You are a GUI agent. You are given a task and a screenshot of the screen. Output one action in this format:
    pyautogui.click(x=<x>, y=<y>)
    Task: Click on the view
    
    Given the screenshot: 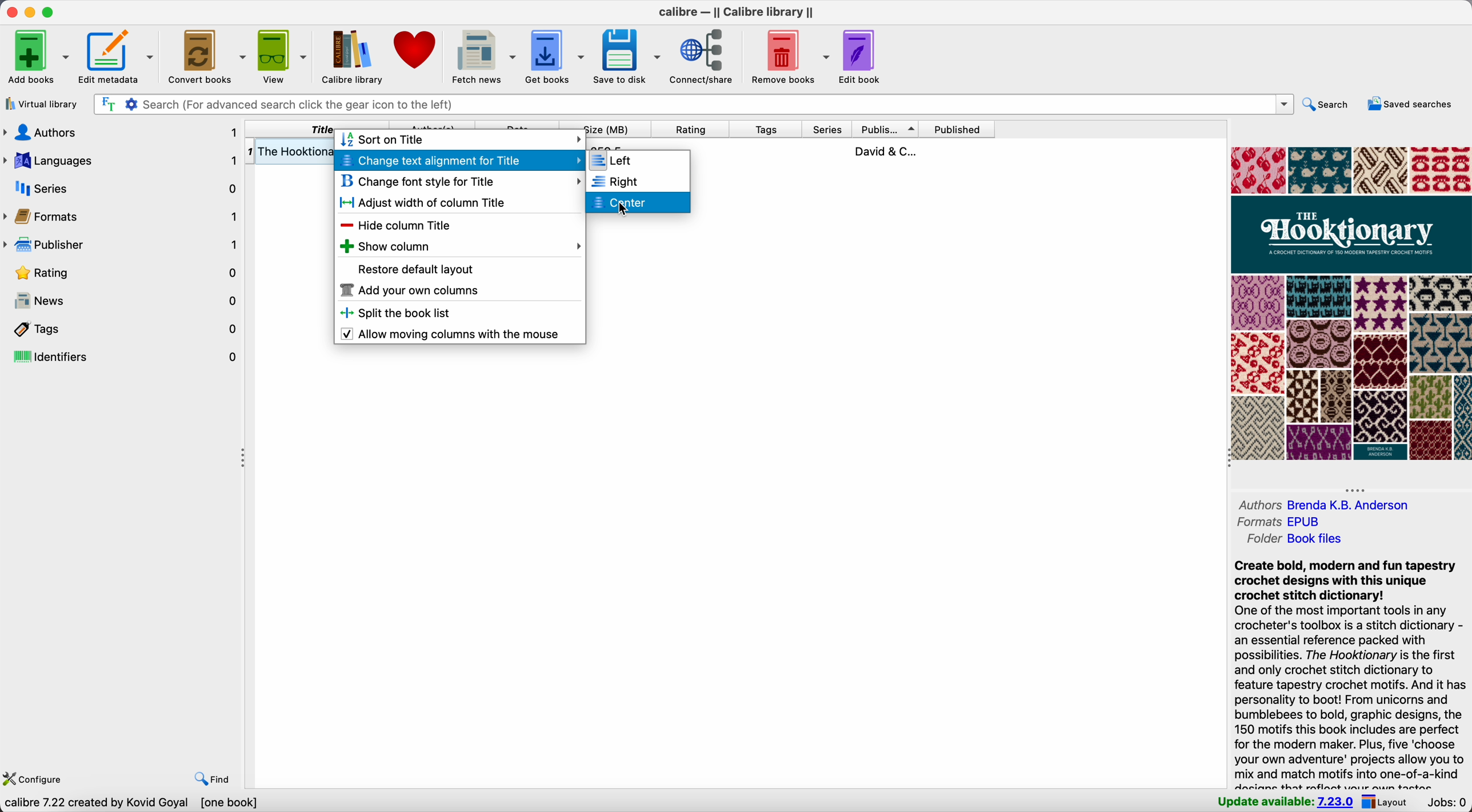 What is the action you would take?
    pyautogui.click(x=281, y=57)
    